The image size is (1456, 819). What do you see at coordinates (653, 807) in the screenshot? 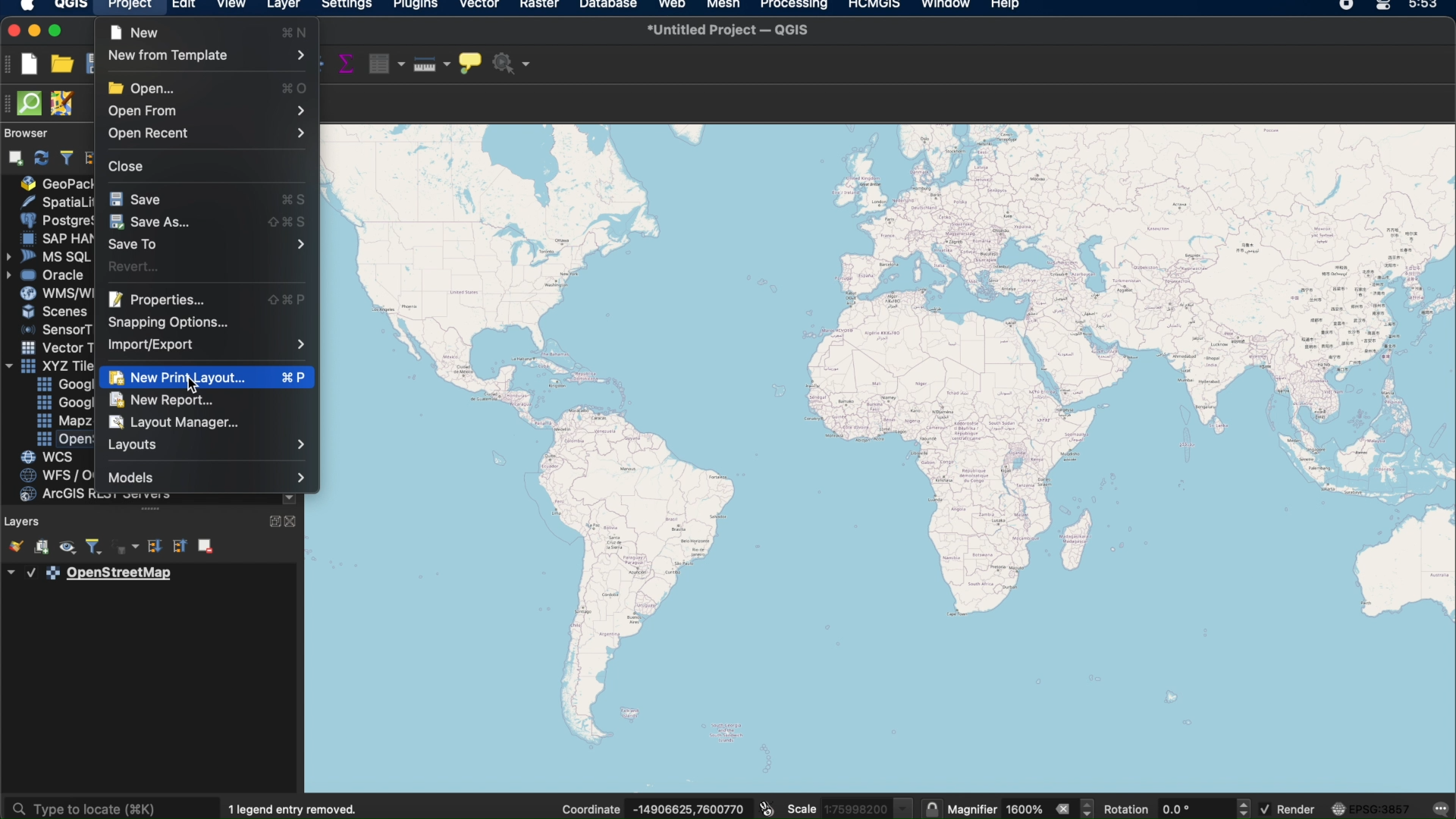
I see `coordinates` at bounding box center [653, 807].